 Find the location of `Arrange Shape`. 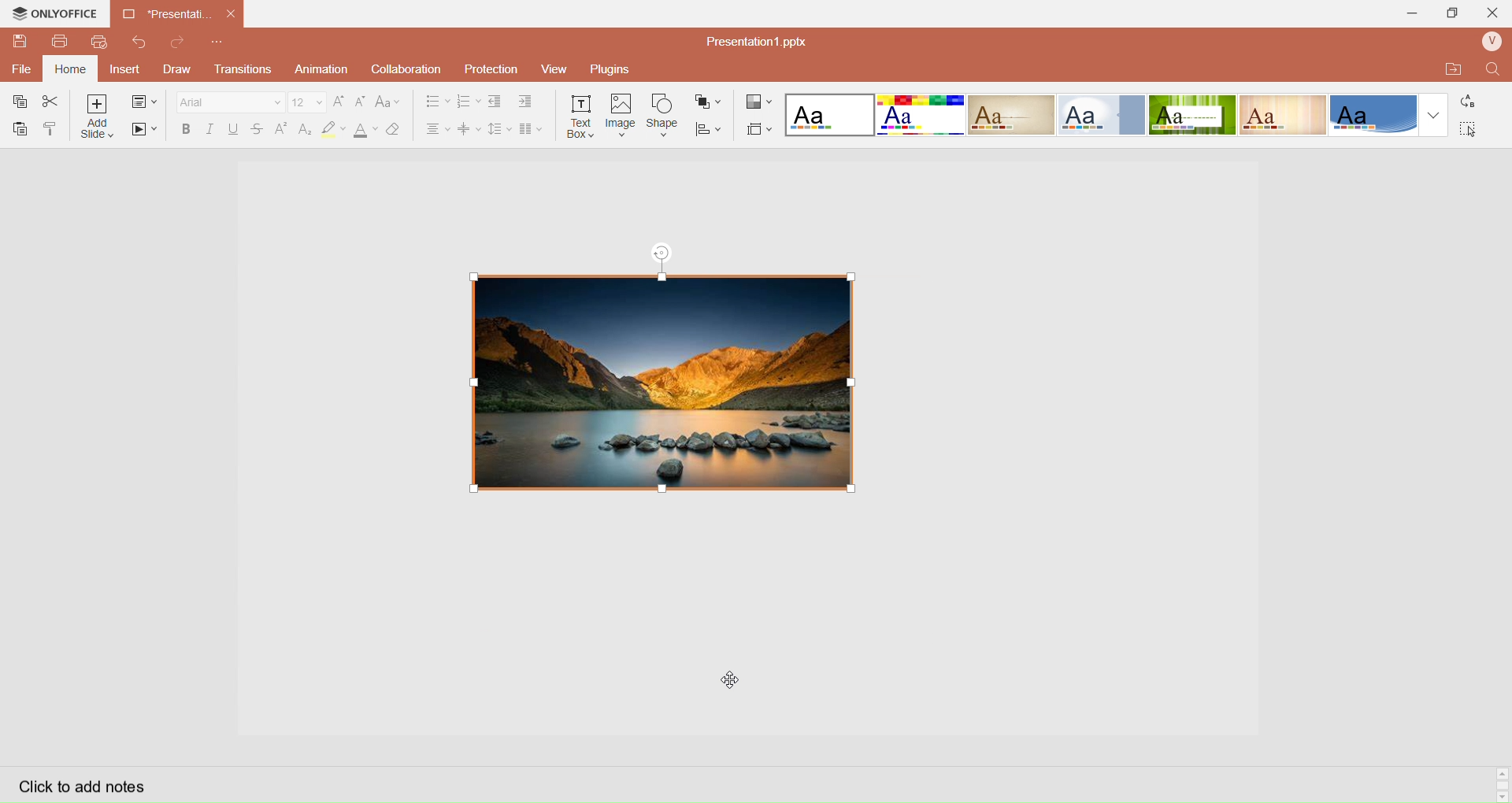

Arrange Shape is located at coordinates (710, 102).